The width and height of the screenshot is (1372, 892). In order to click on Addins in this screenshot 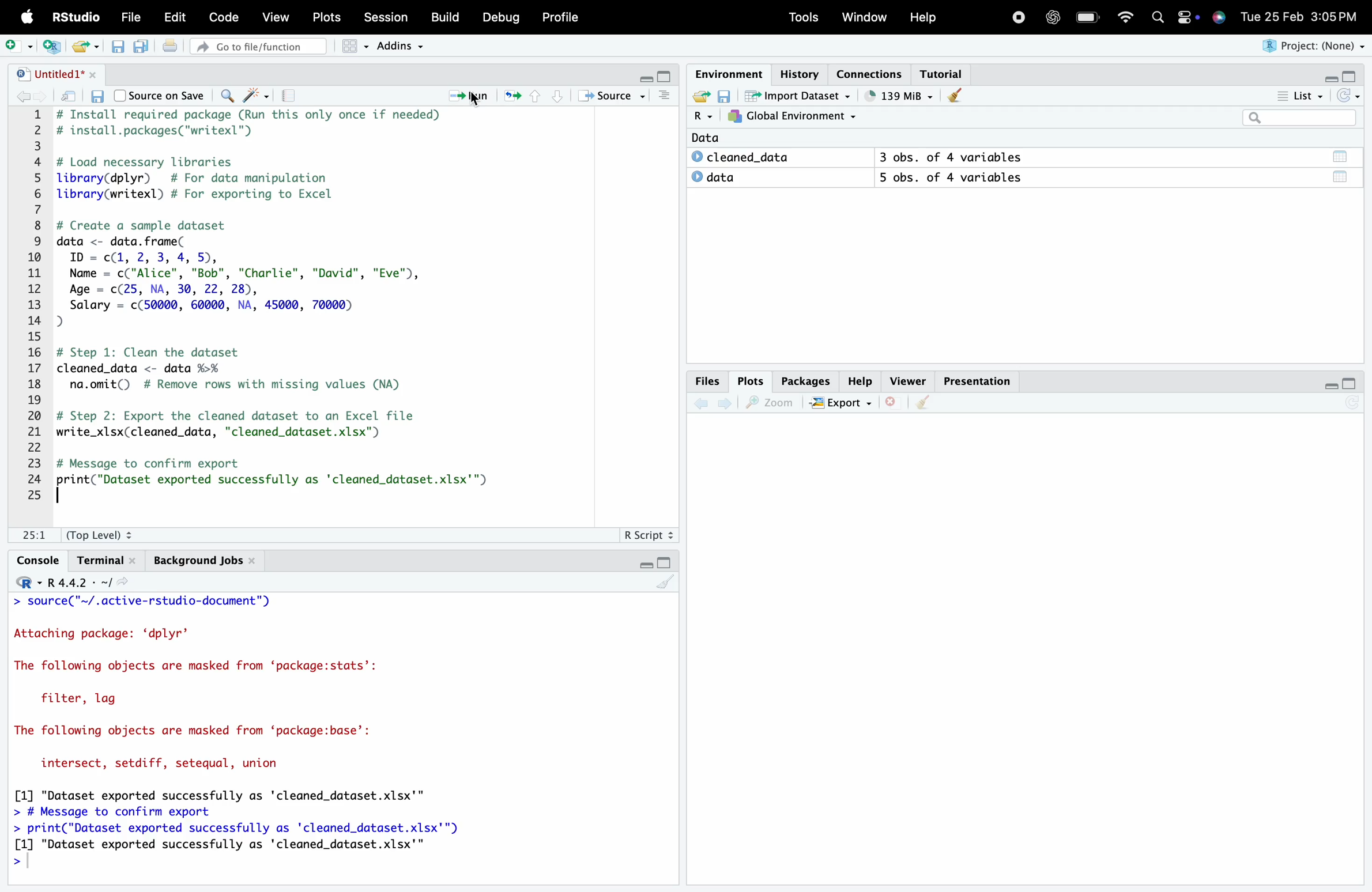, I will do `click(401, 44)`.